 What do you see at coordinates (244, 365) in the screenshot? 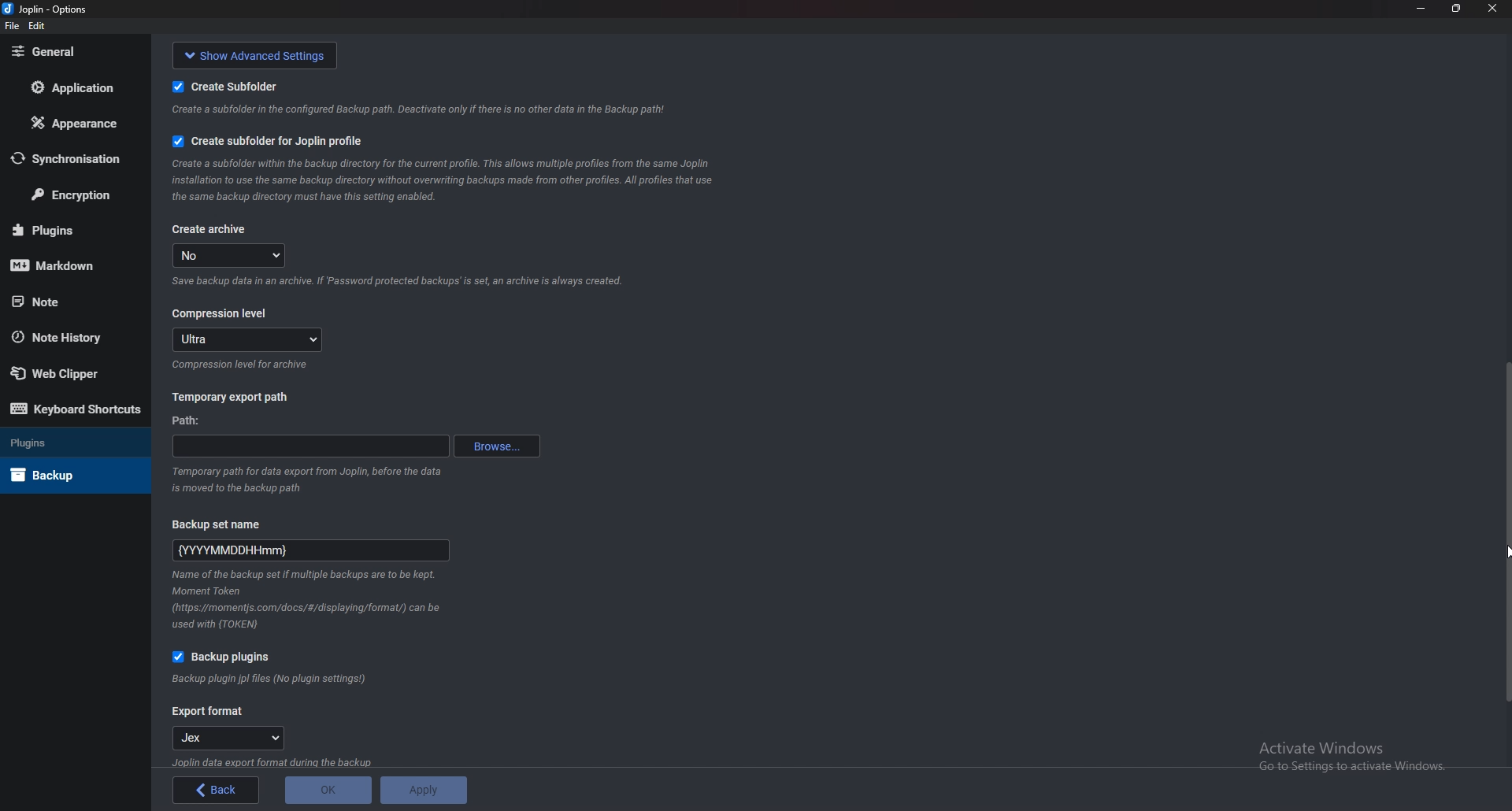
I see `info` at bounding box center [244, 365].